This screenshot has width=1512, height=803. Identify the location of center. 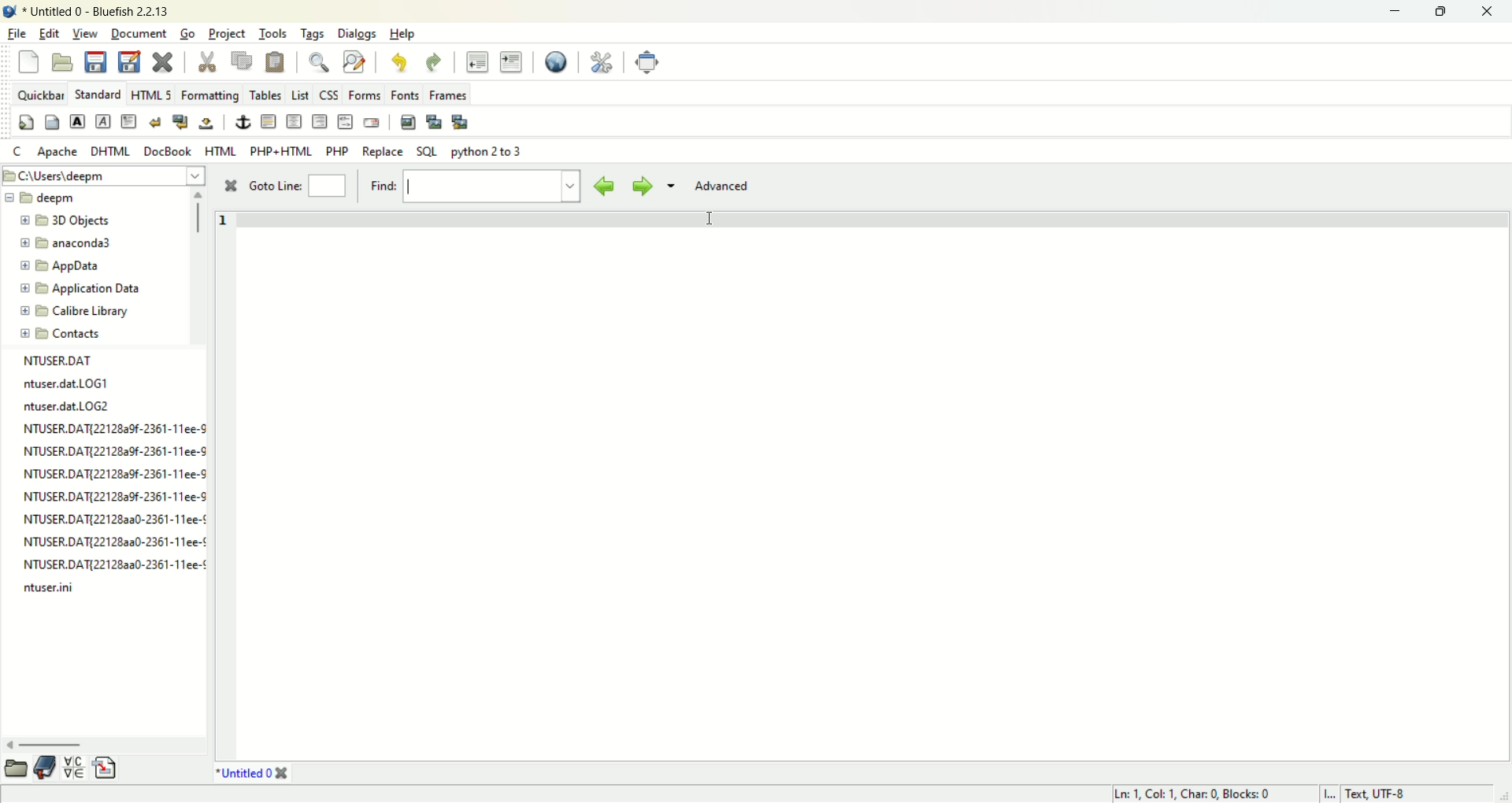
(295, 122).